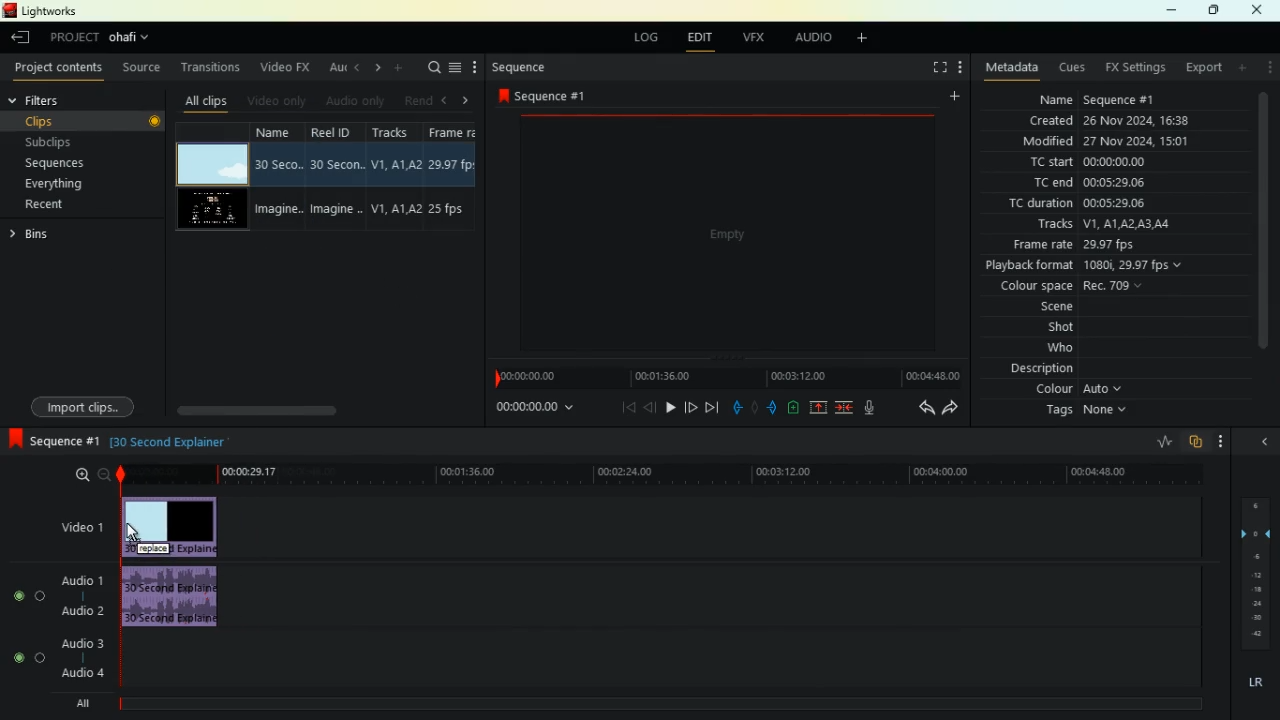 The height and width of the screenshot is (720, 1280). What do you see at coordinates (82, 120) in the screenshot?
I see `clips` at bounding box center [82, 120].